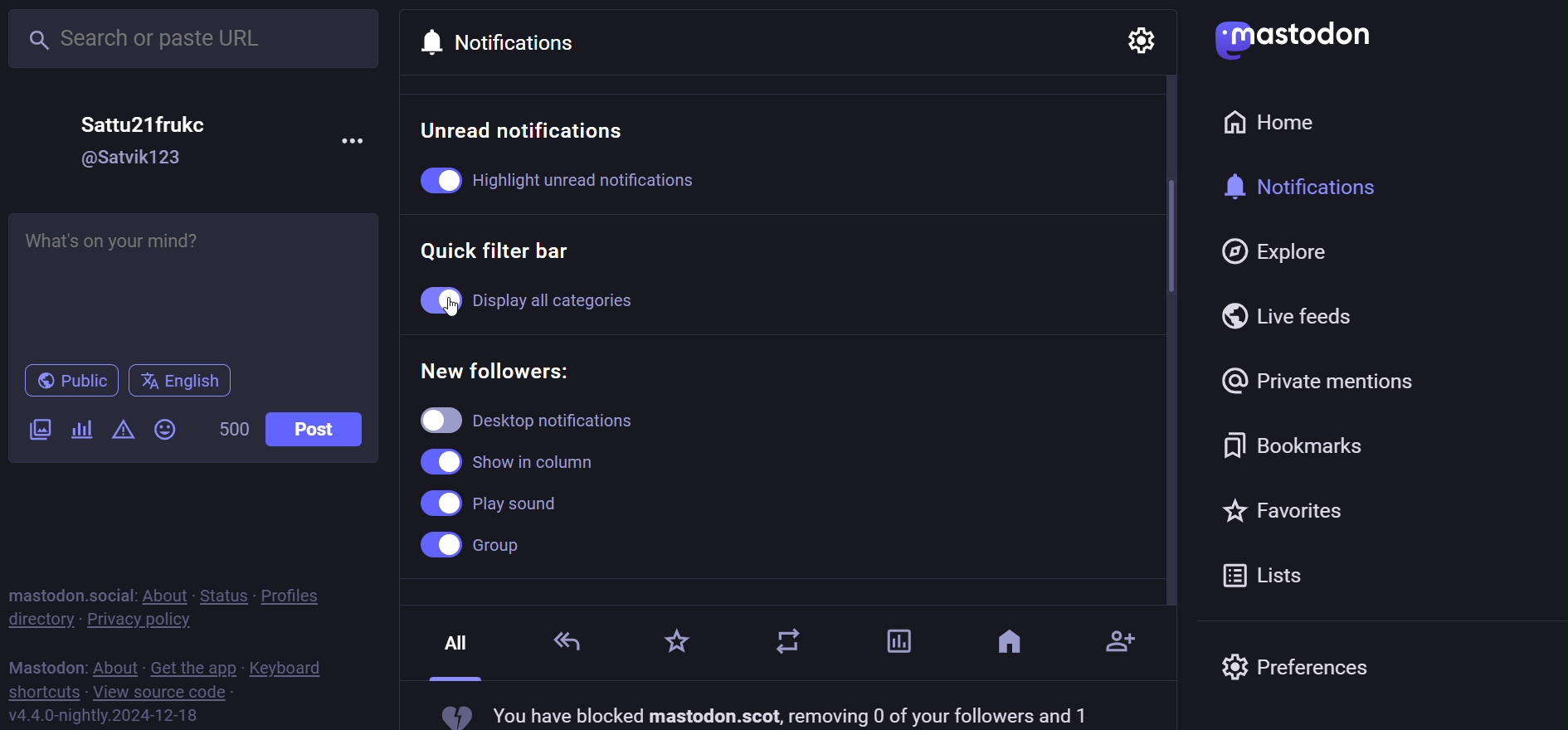  Describe the element at coordinates (46, 664) in the screenshot. I see `mastodon` at that location.